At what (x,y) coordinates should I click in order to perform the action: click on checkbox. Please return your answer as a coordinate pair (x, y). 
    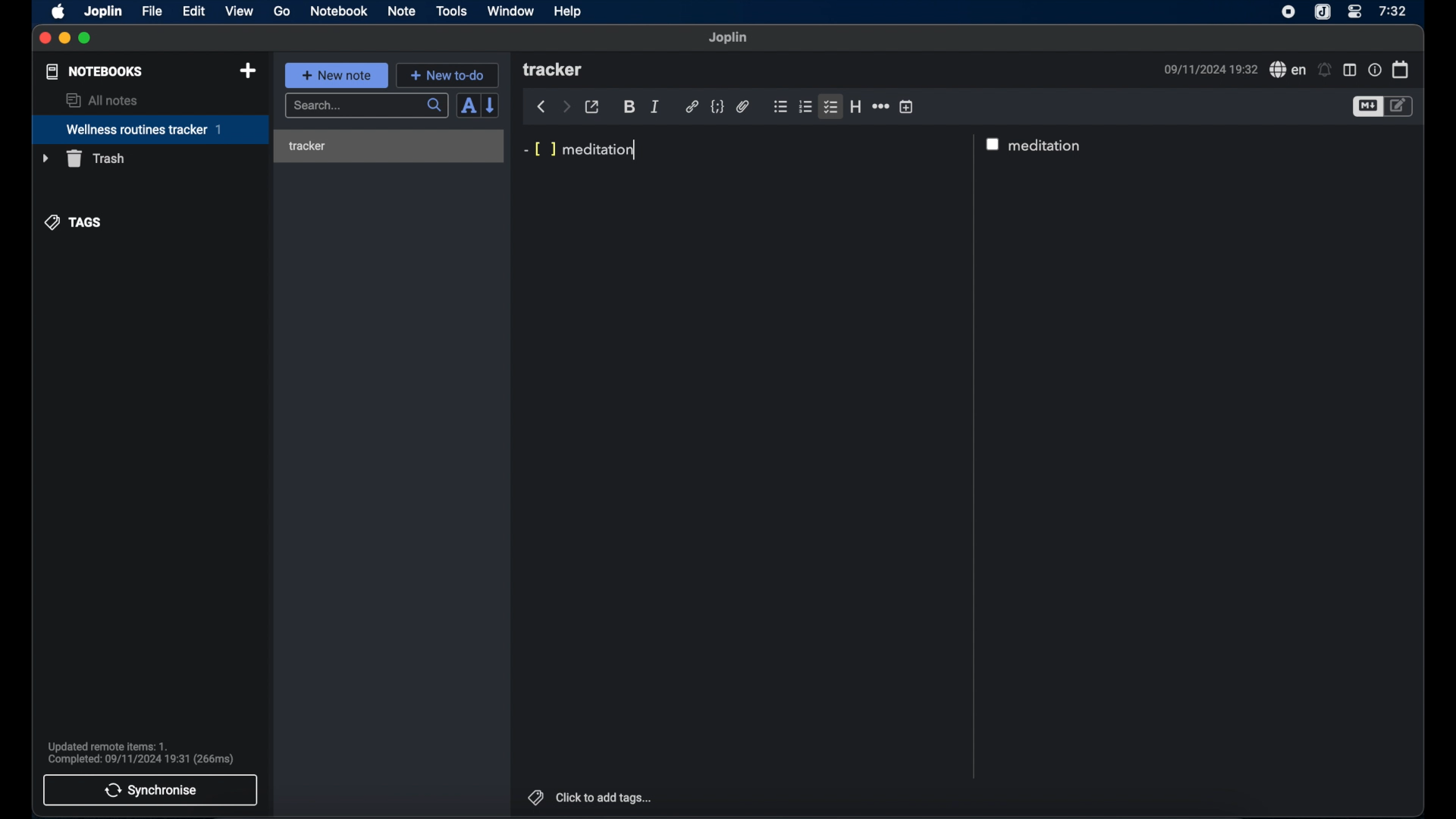
    Looking at the image, I should click on (994, 143).